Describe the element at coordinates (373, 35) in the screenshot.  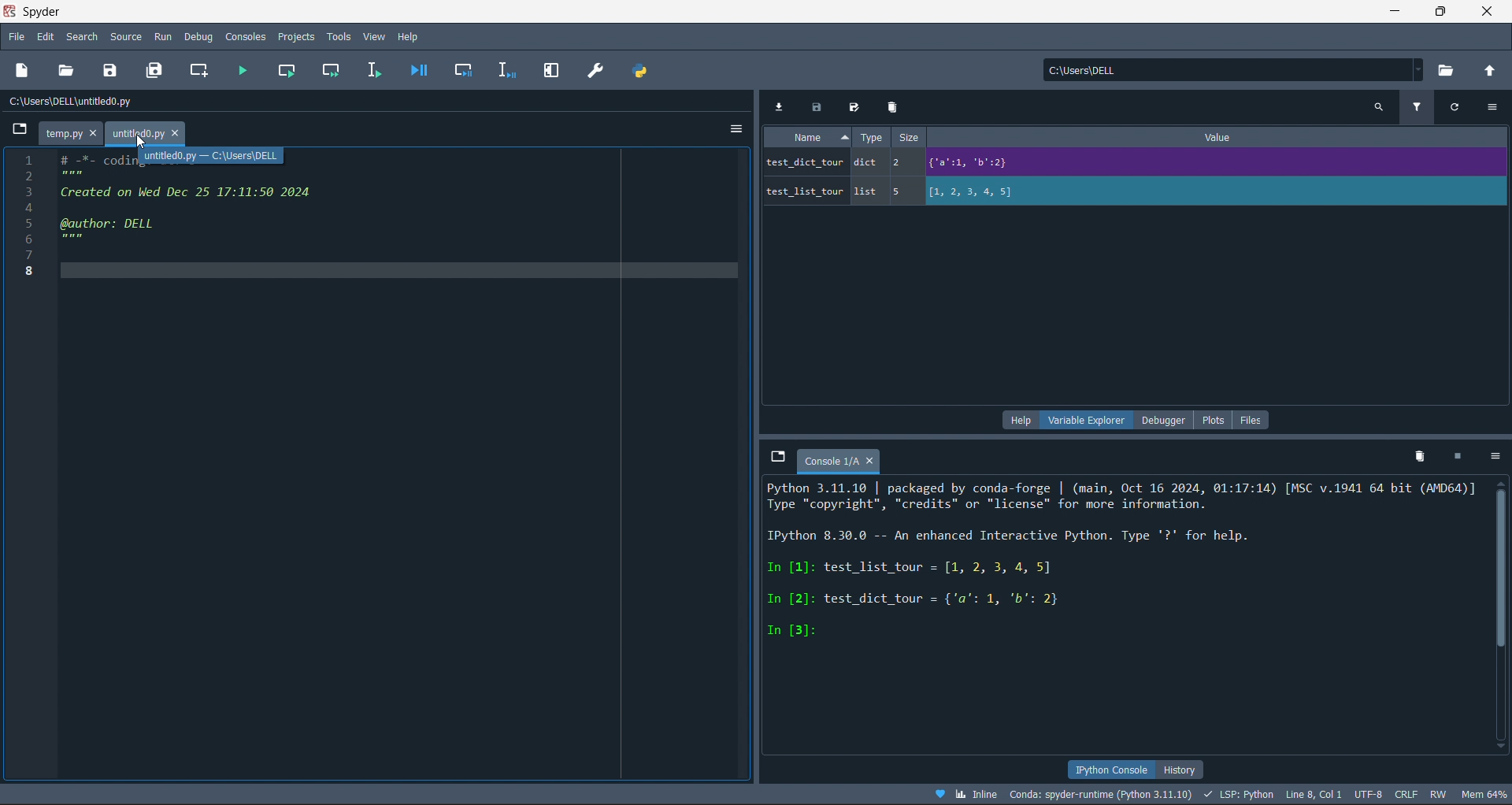
I see `view` at that location.